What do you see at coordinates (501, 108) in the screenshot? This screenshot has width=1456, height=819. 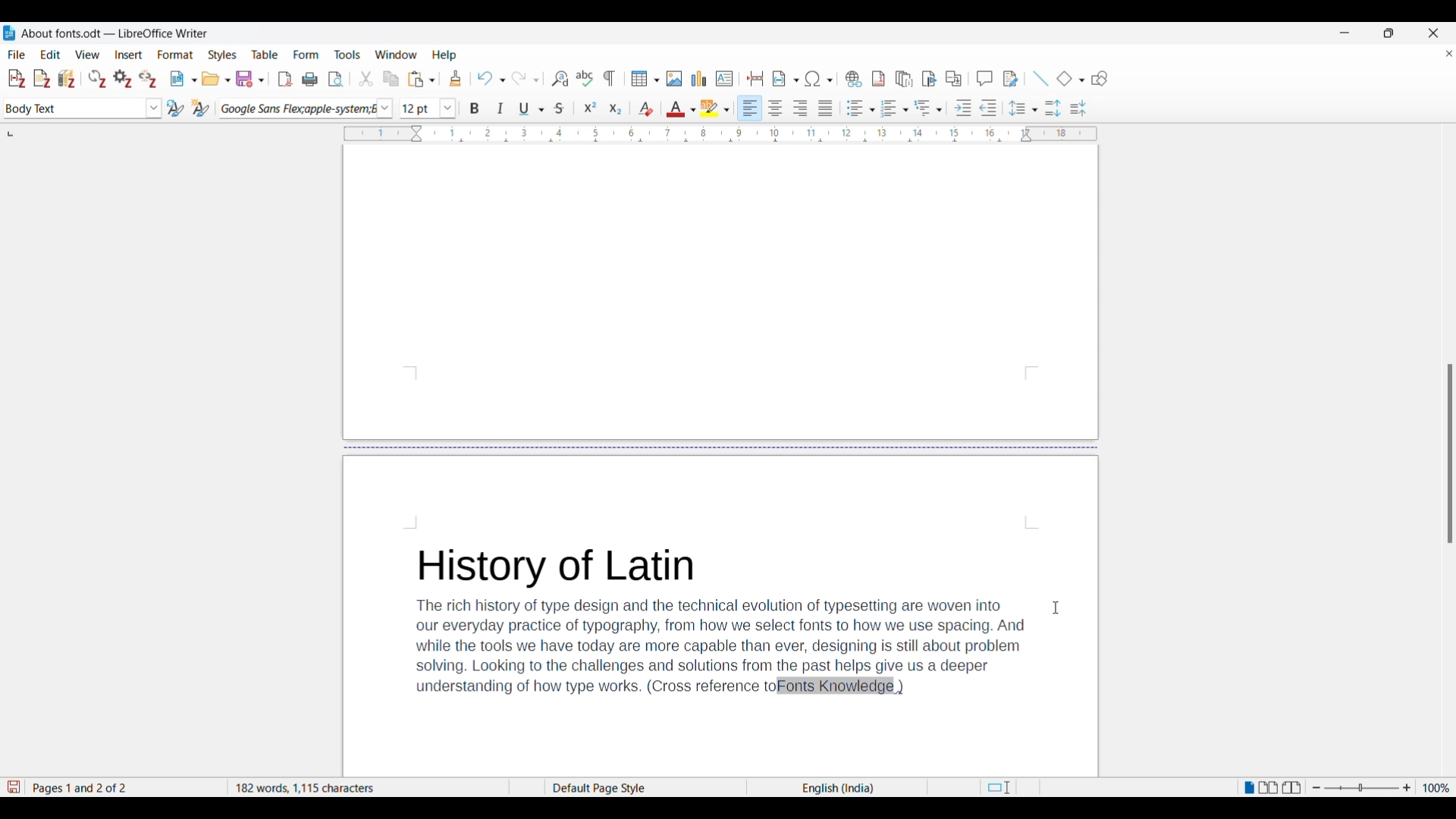 I see `Italics` at bounding box center [501, 108].